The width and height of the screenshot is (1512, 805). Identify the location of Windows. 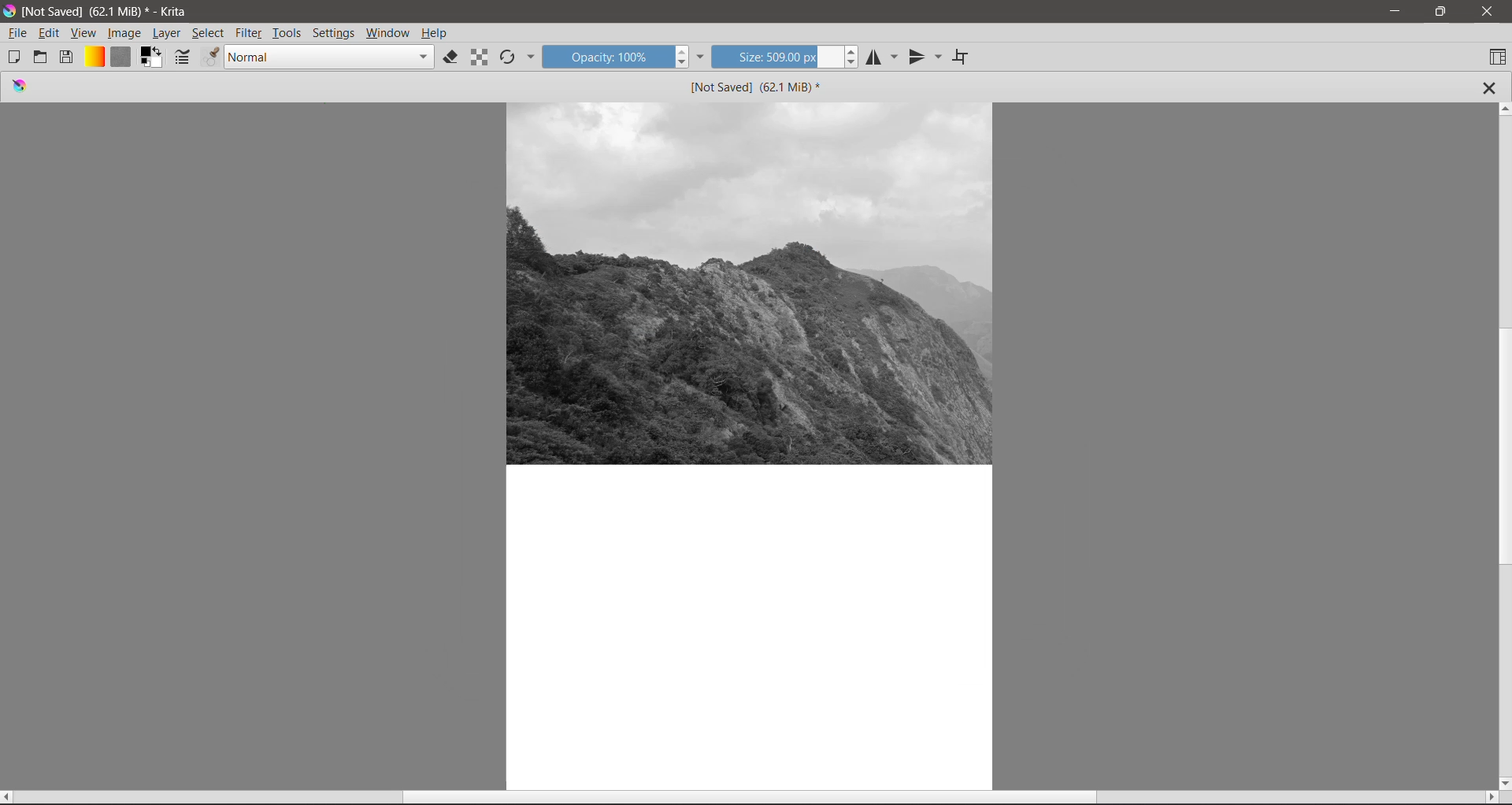
(388, 33).